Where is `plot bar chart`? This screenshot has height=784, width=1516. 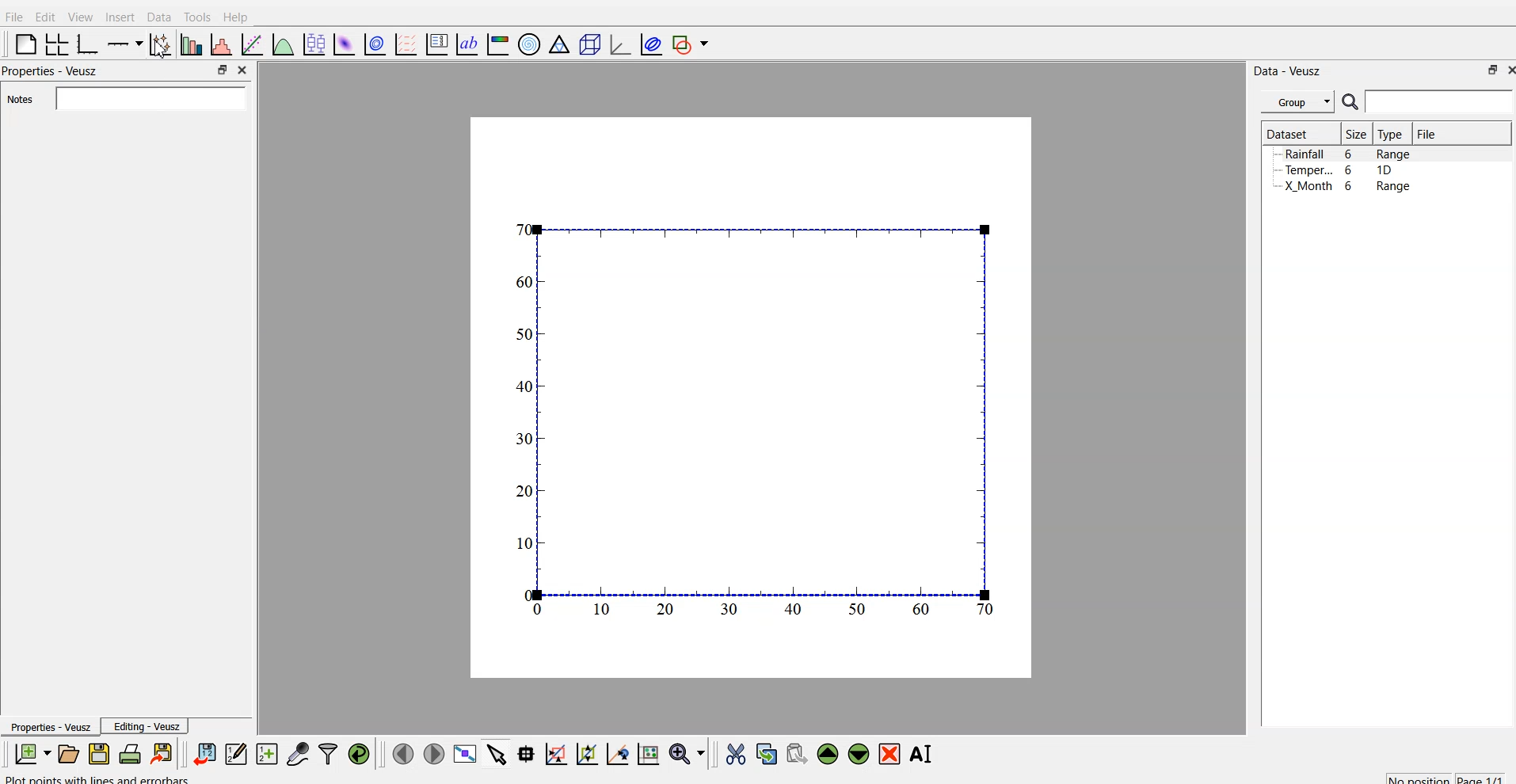 plot bar chart is located at coordinates (189, 44).